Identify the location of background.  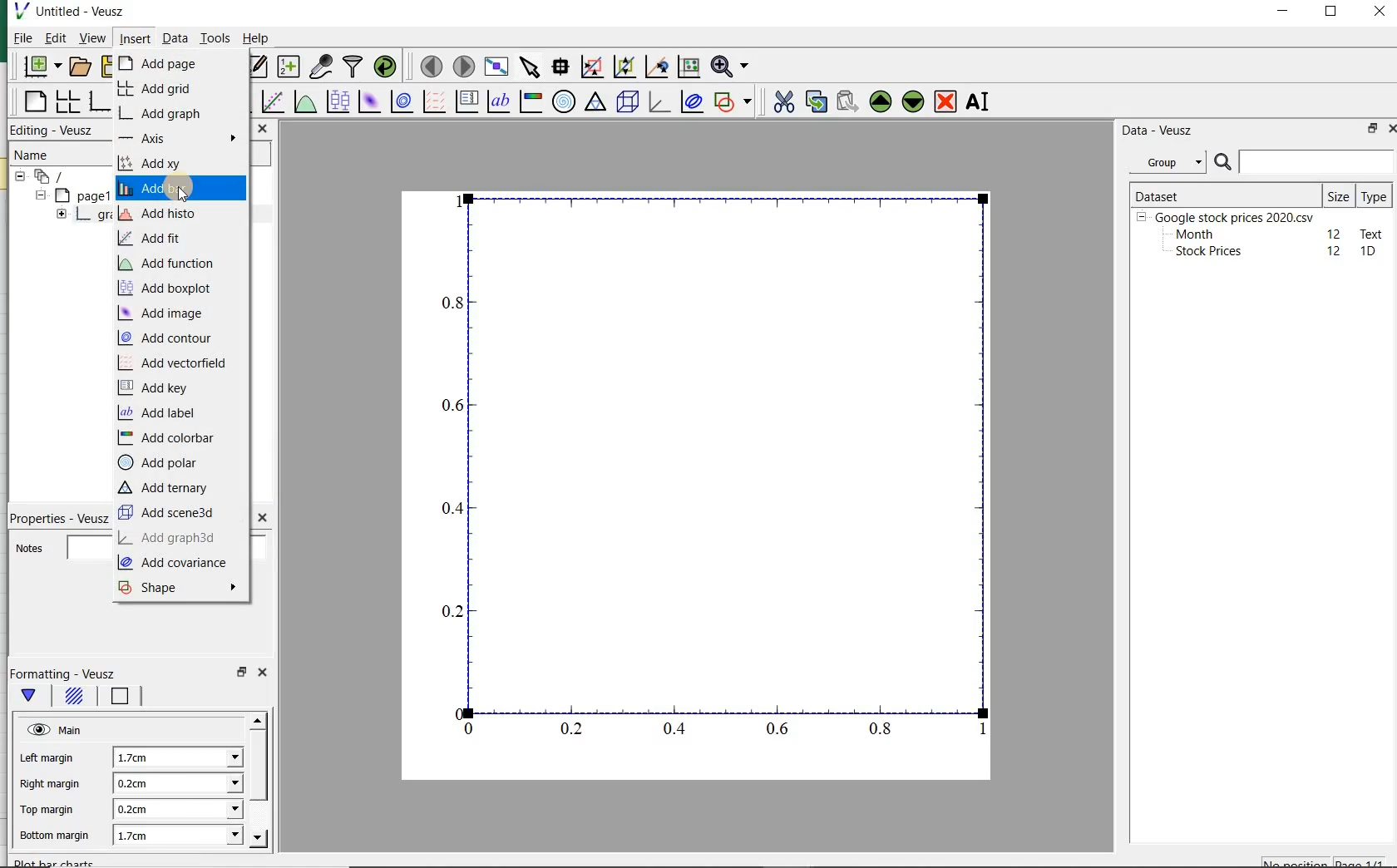
(74, 698).